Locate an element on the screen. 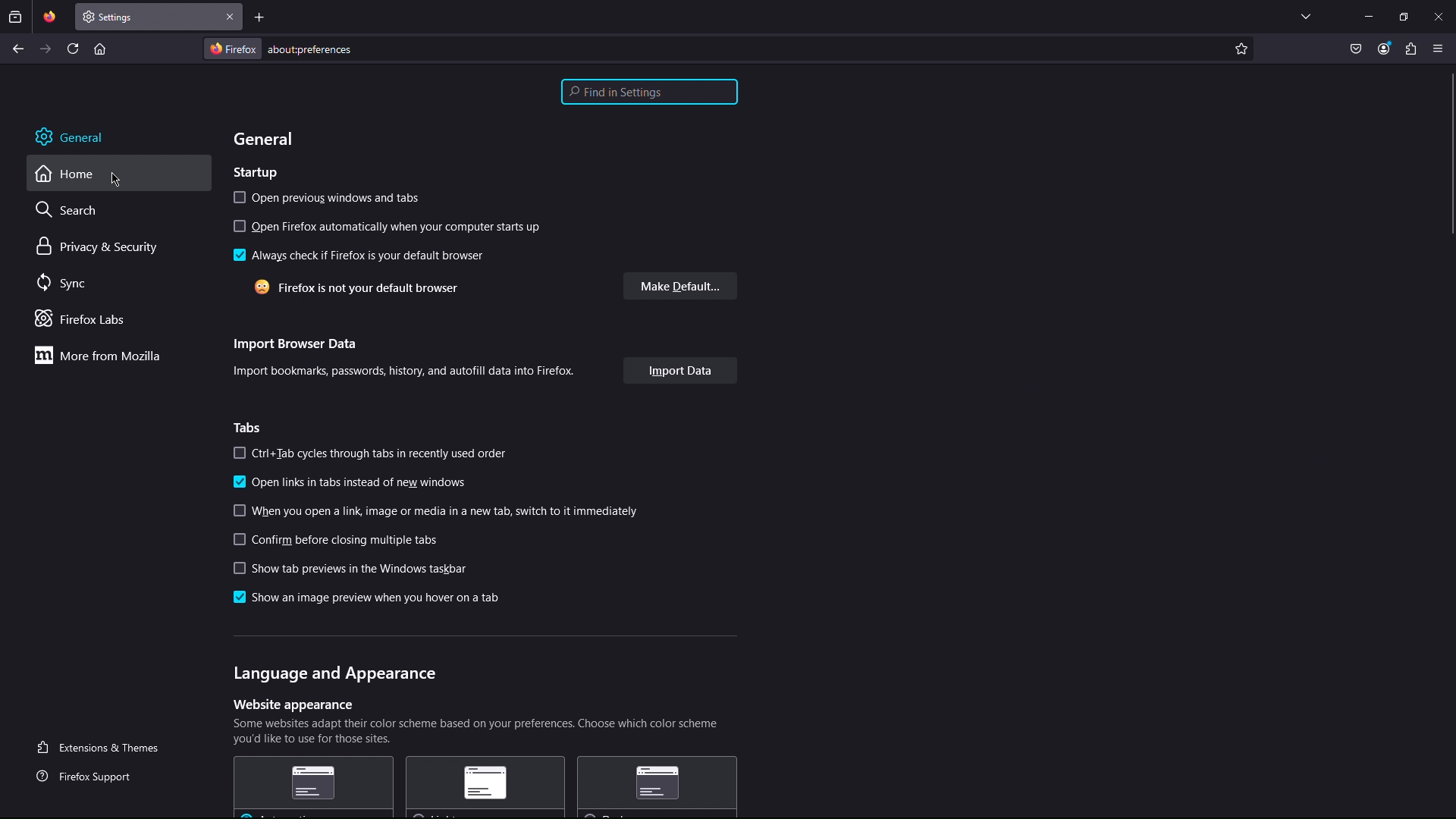 Image resolution: width=1456 pixels, height=819 pixels. Search bar is located at coordinates (649, 92).